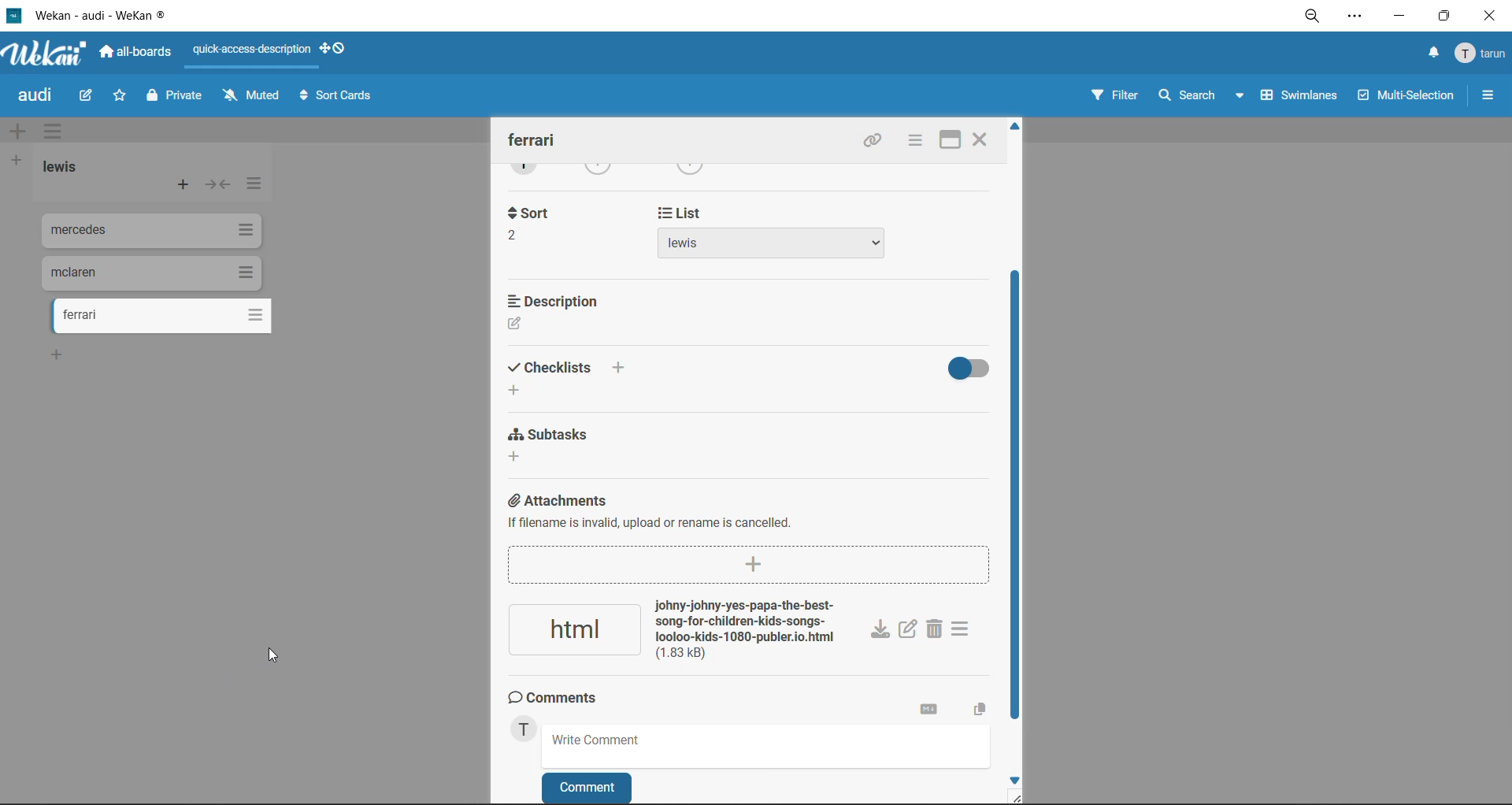  What do you see at coordinates (1443, 17) in the screenshot?
I see `maximize` at bounding box center [1443, 17].